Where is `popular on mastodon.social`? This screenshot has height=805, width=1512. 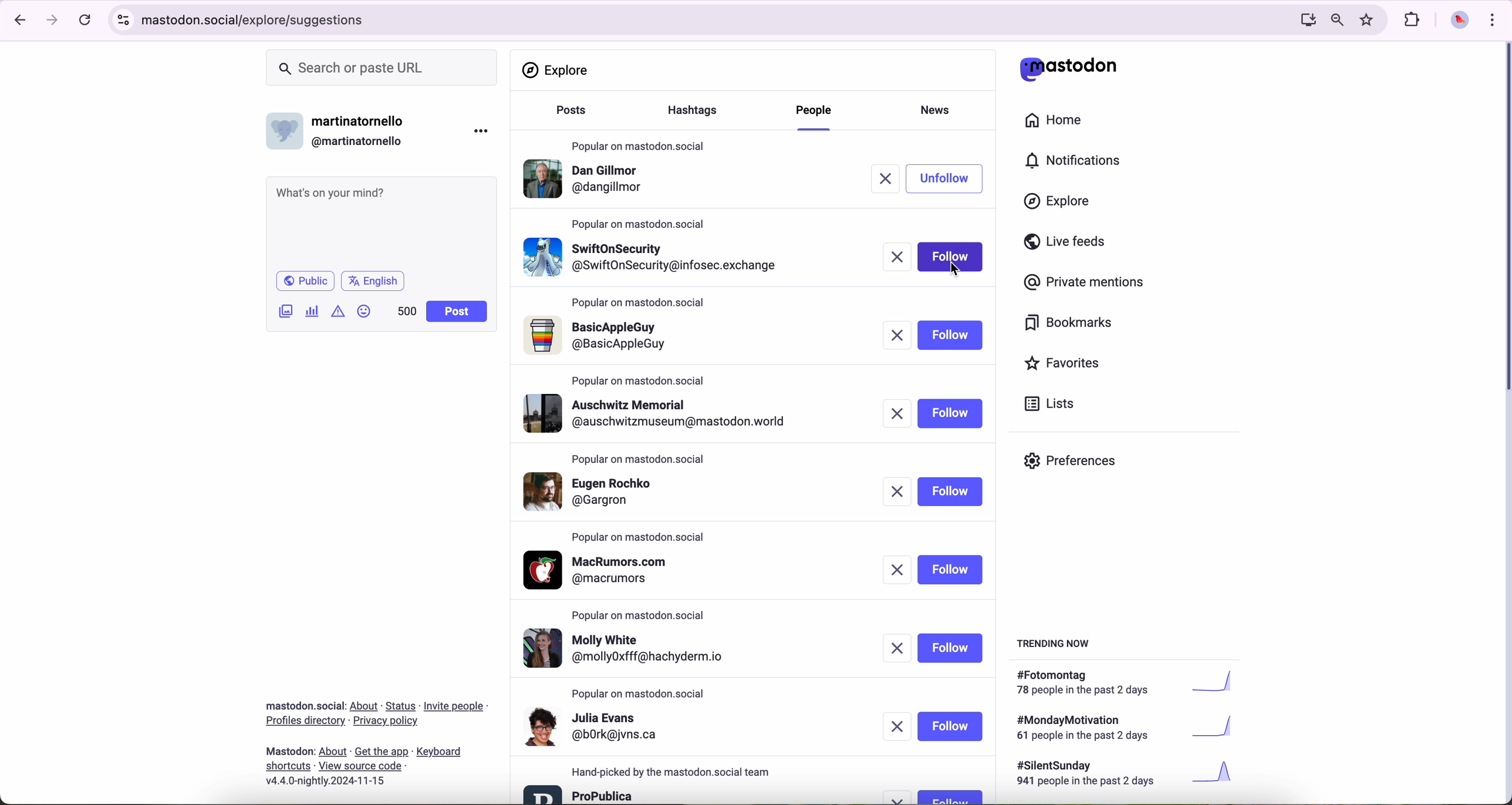
popular on mastodon.social is located at coordinates (640, 304).